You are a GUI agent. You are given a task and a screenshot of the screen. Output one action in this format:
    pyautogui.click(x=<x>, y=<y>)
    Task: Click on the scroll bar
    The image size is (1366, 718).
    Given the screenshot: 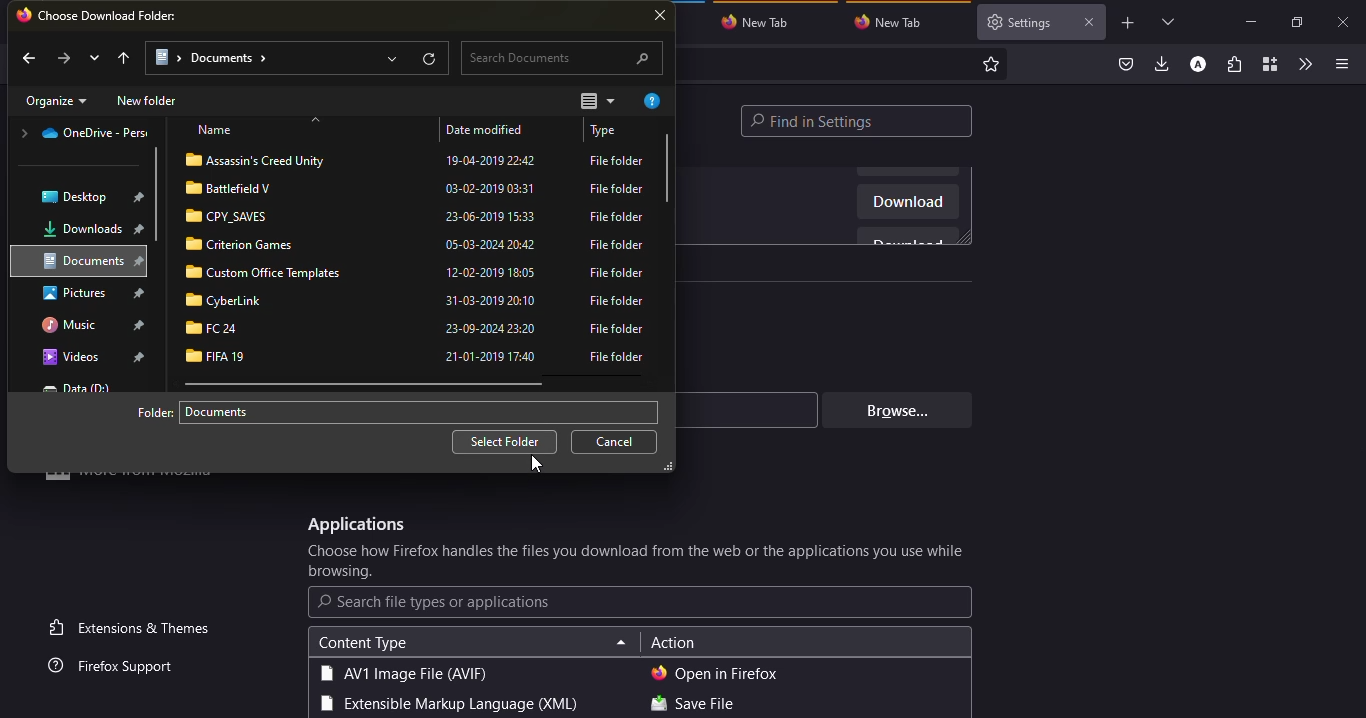 What is the action you would take?
    pyautogui.click(x=376, y=384)
    